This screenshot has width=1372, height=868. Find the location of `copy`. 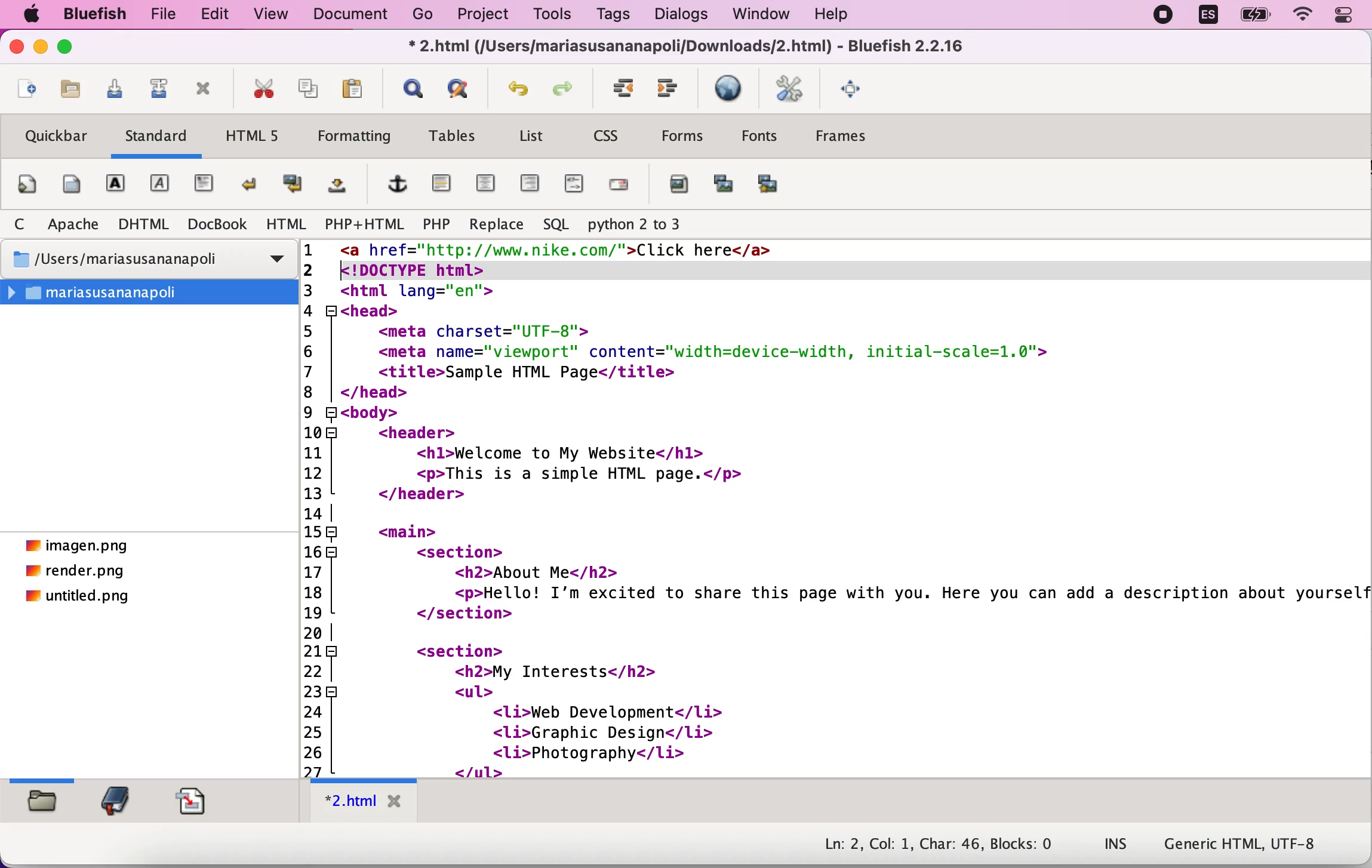

copy is located at coordinates (306, 84).